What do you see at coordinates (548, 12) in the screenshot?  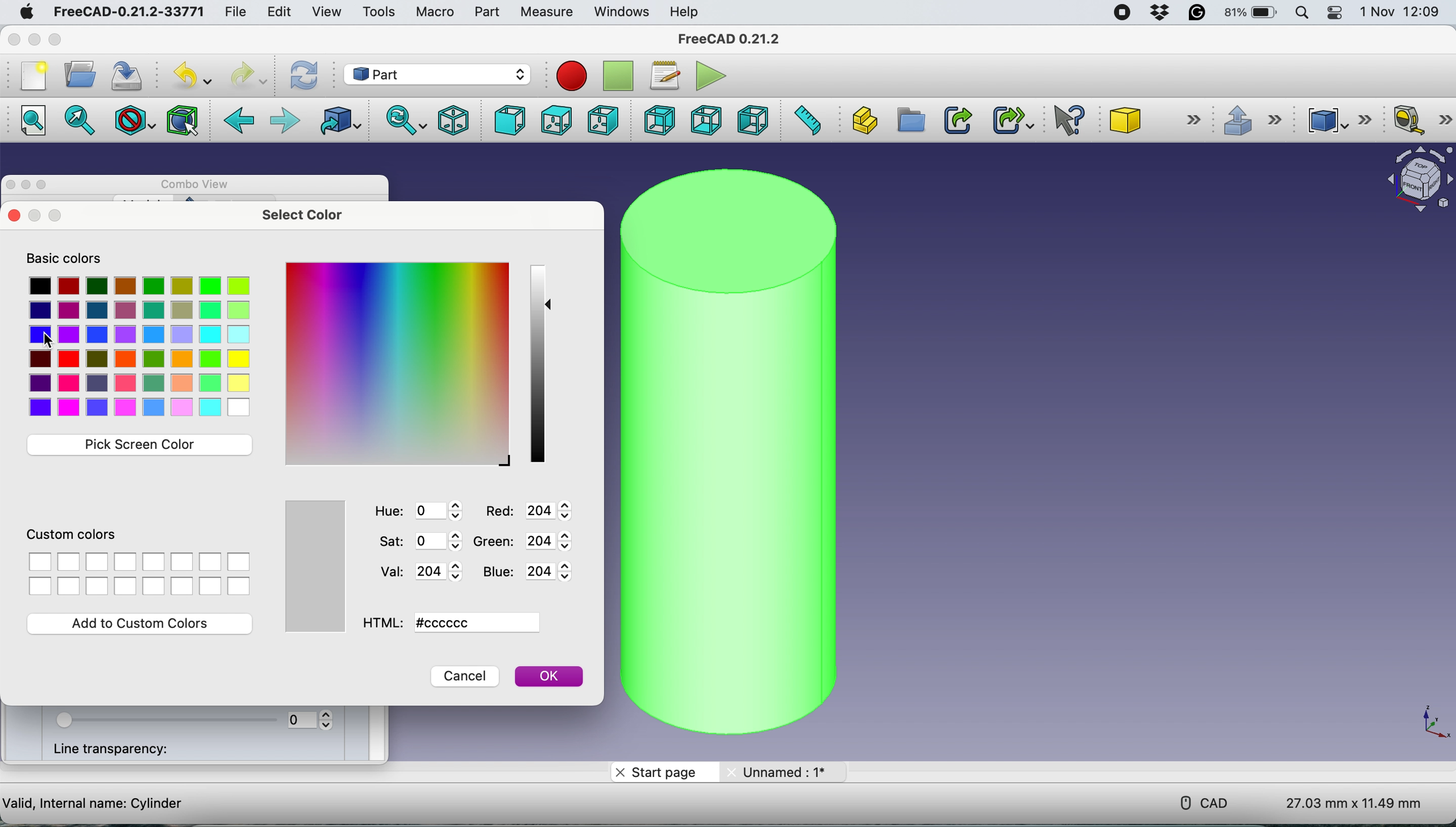 I see `measure` at bounding box center [548, 12].